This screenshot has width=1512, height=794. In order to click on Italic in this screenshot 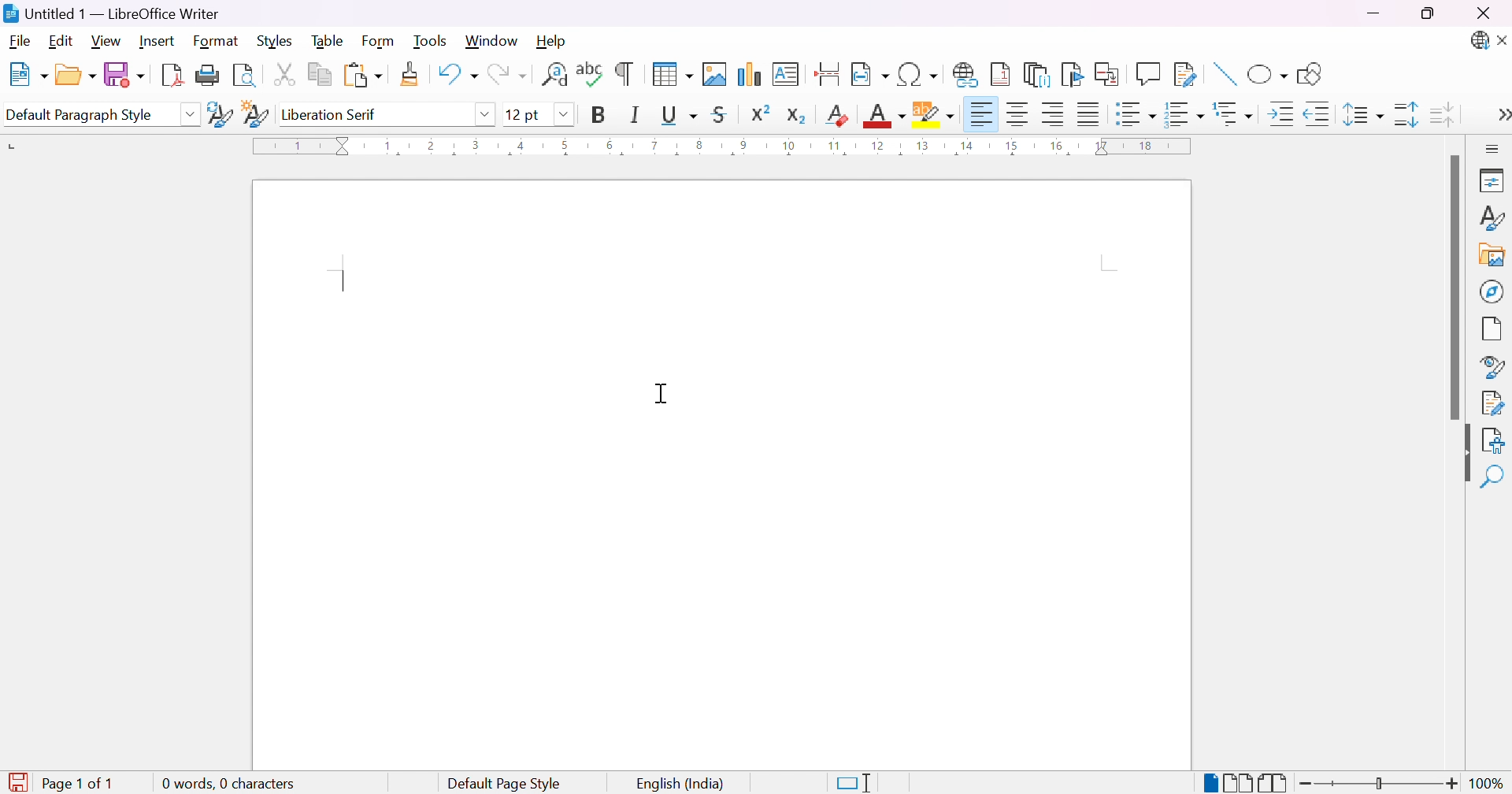, I will do `click(636, 114)`.